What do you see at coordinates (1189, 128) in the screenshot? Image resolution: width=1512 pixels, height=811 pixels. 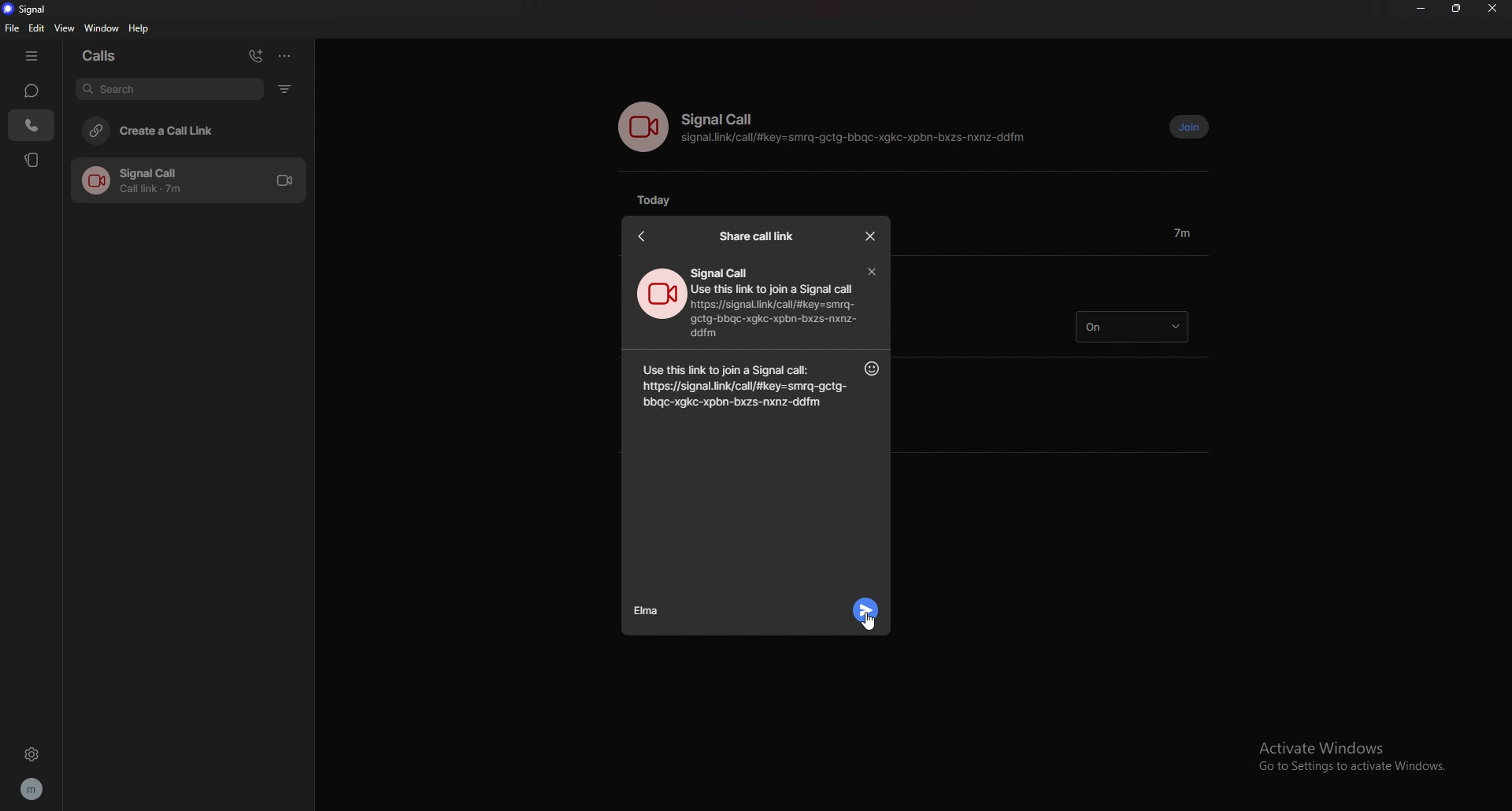 I see `join` at bounding box center [1189, 128].